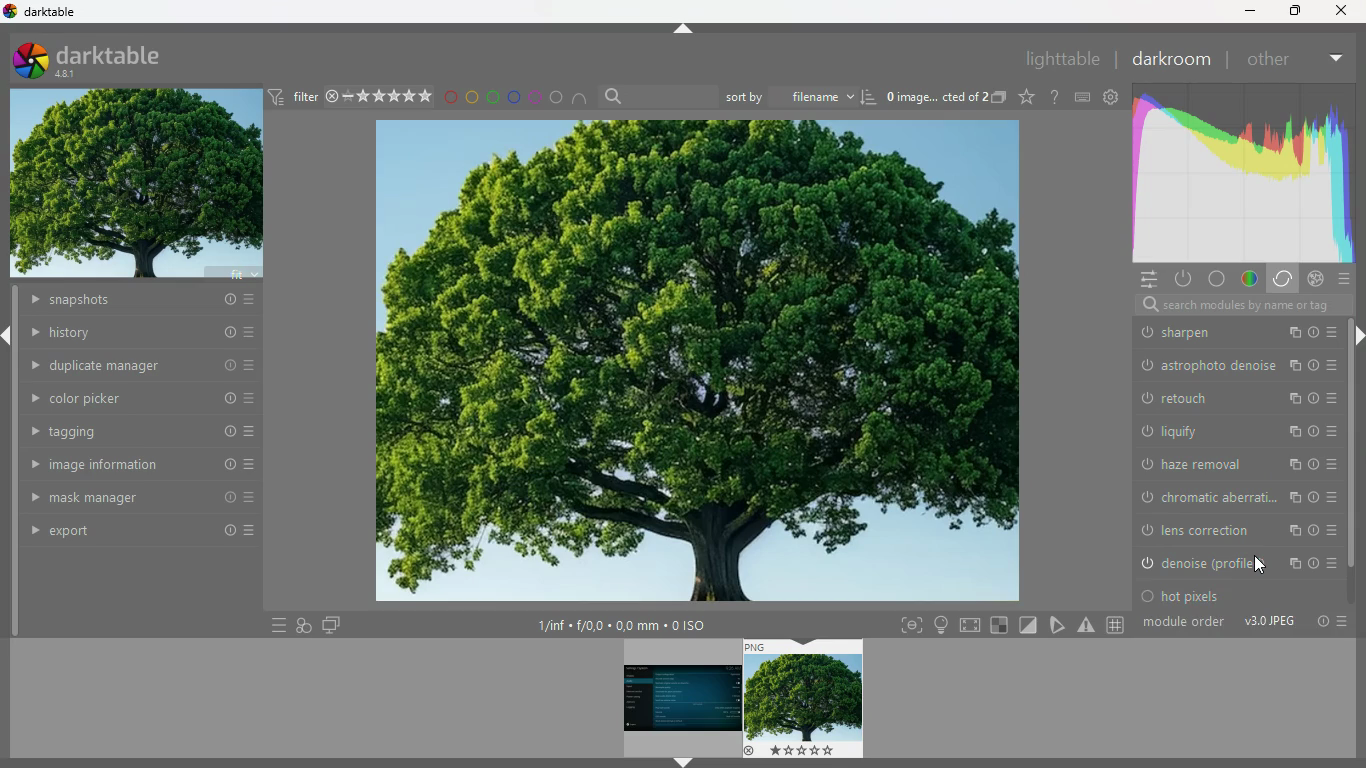 The height and width of the screenshot is (768, 1366). I want to click on red, so click(450, 98).